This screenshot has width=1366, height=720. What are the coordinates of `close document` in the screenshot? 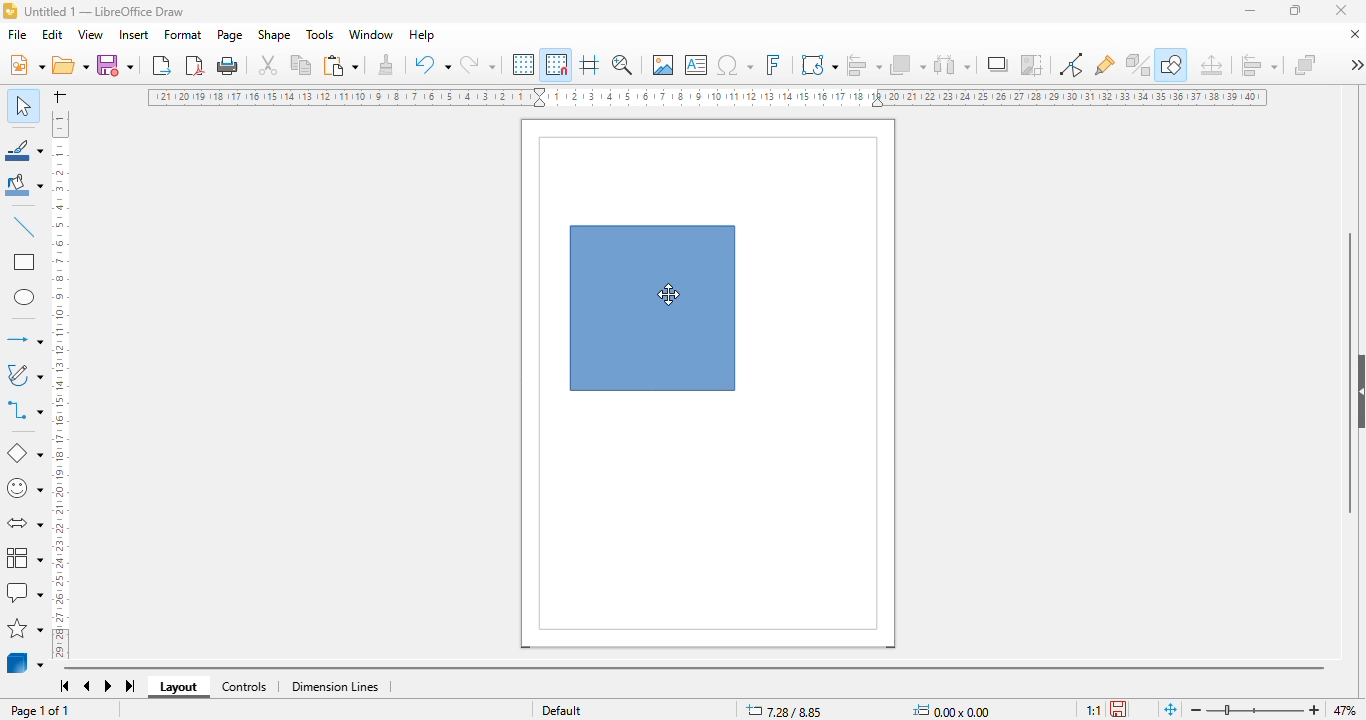 It's located at (1354, 34).